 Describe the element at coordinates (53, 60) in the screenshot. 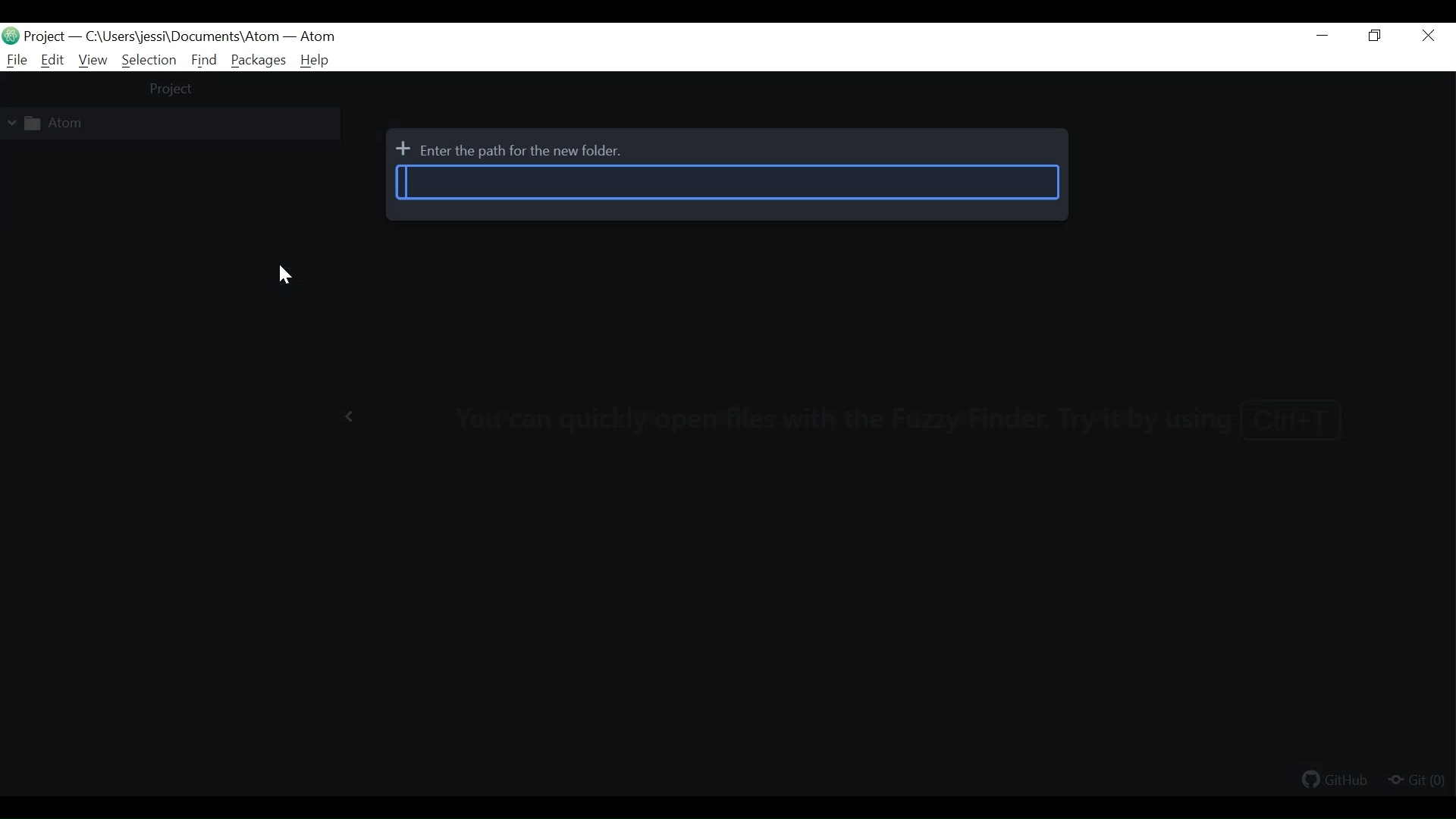

I see `Edit` at that location.